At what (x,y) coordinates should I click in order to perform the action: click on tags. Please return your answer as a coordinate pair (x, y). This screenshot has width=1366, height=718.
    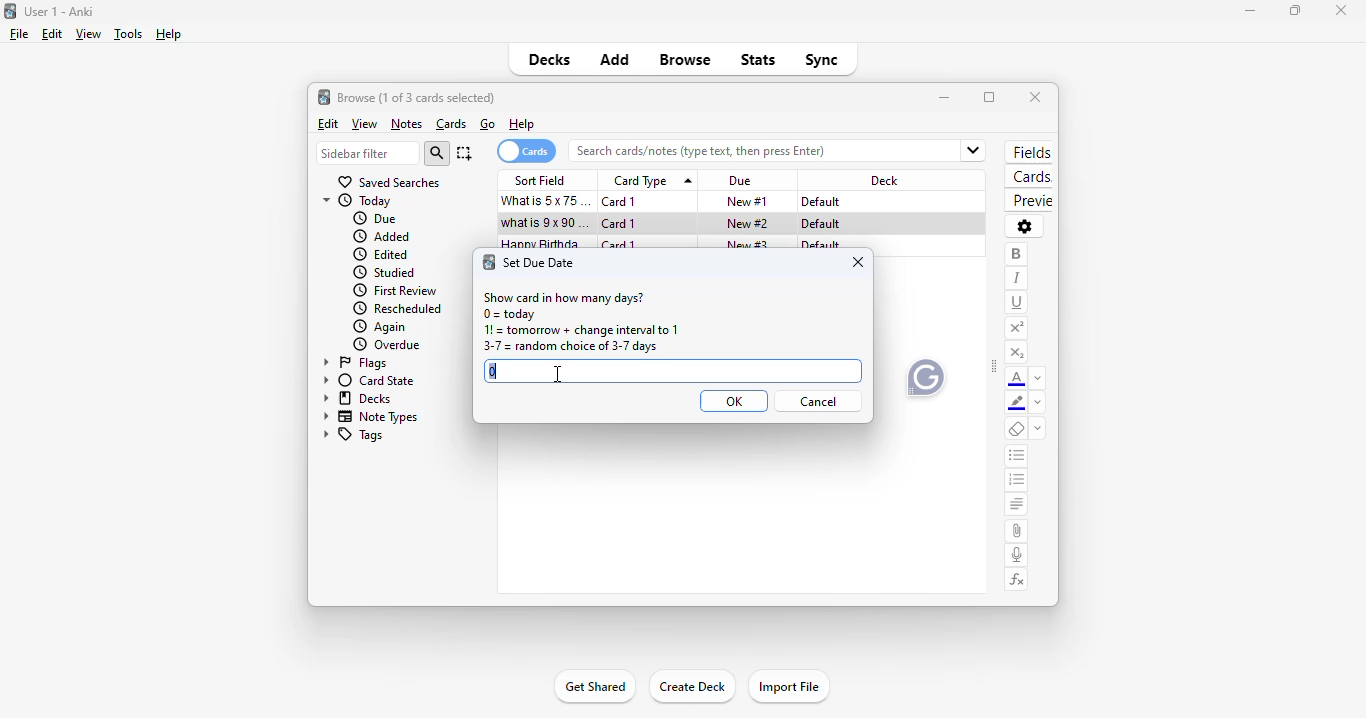
    Looking at the image, I should click on (352, 435).